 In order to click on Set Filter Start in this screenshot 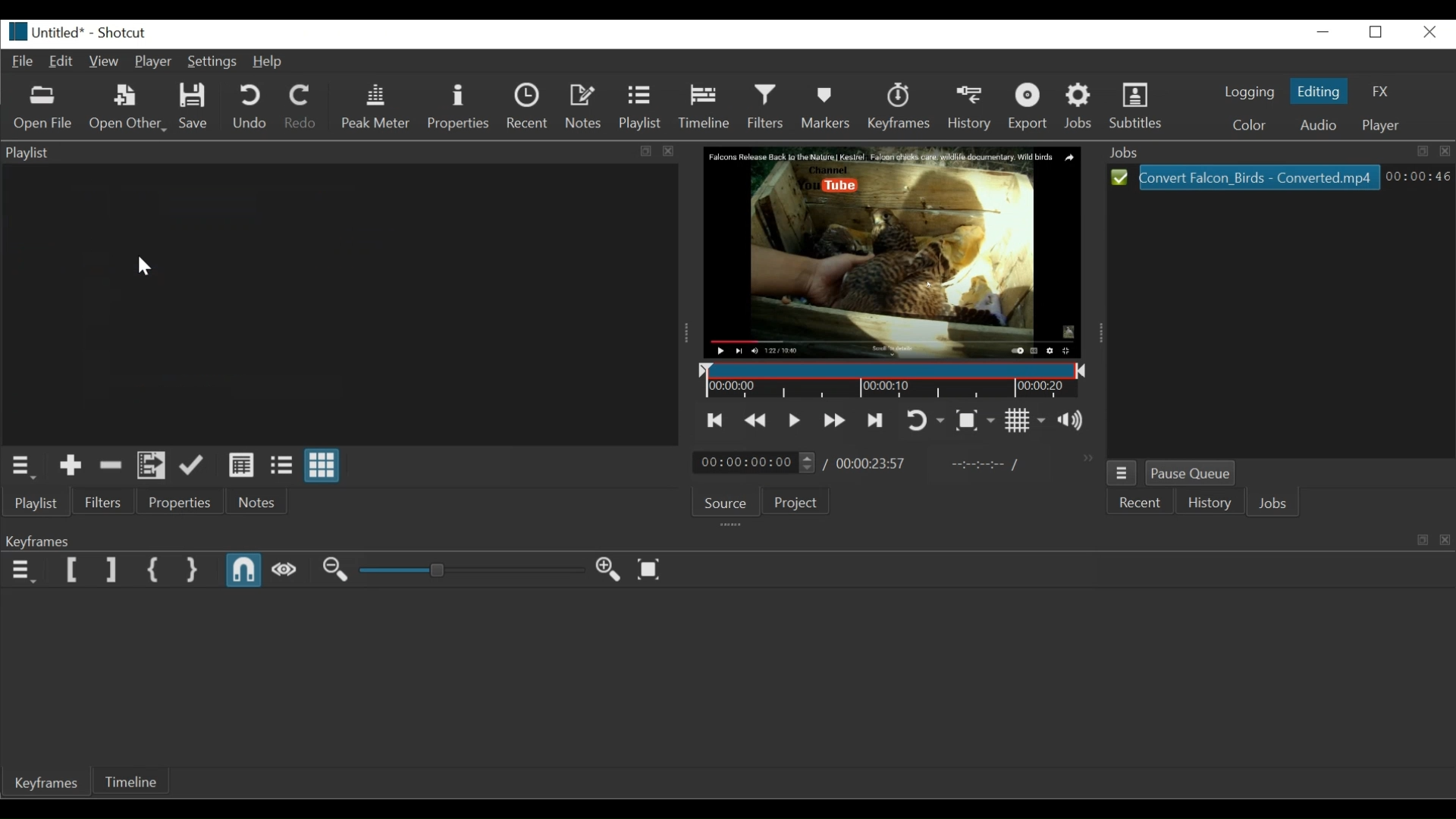, I will do `click(74, 570)`.